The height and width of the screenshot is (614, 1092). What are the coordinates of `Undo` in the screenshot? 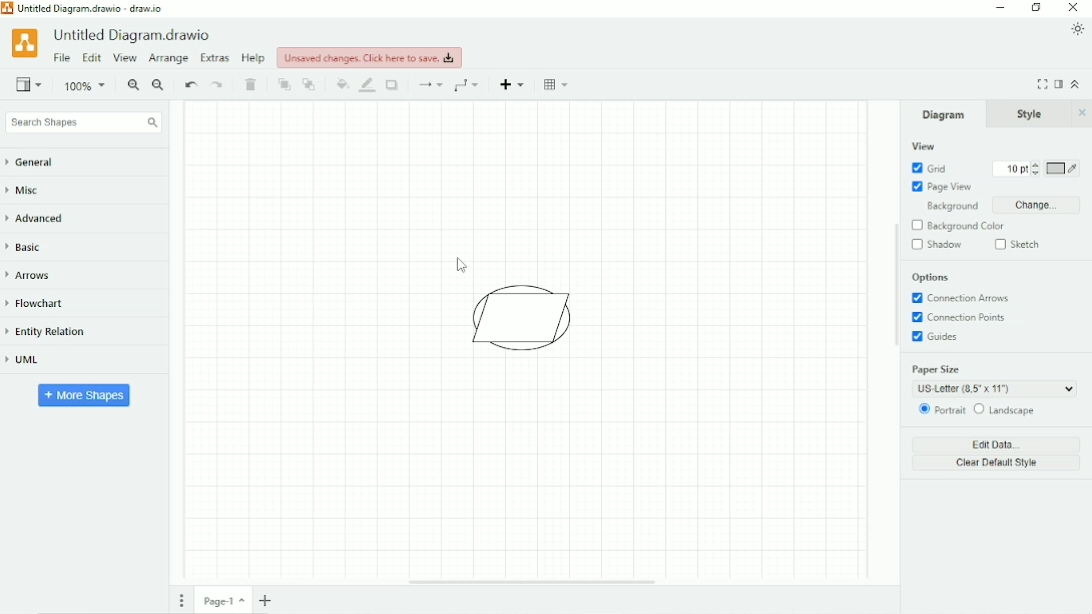 It's located at (190, 86).